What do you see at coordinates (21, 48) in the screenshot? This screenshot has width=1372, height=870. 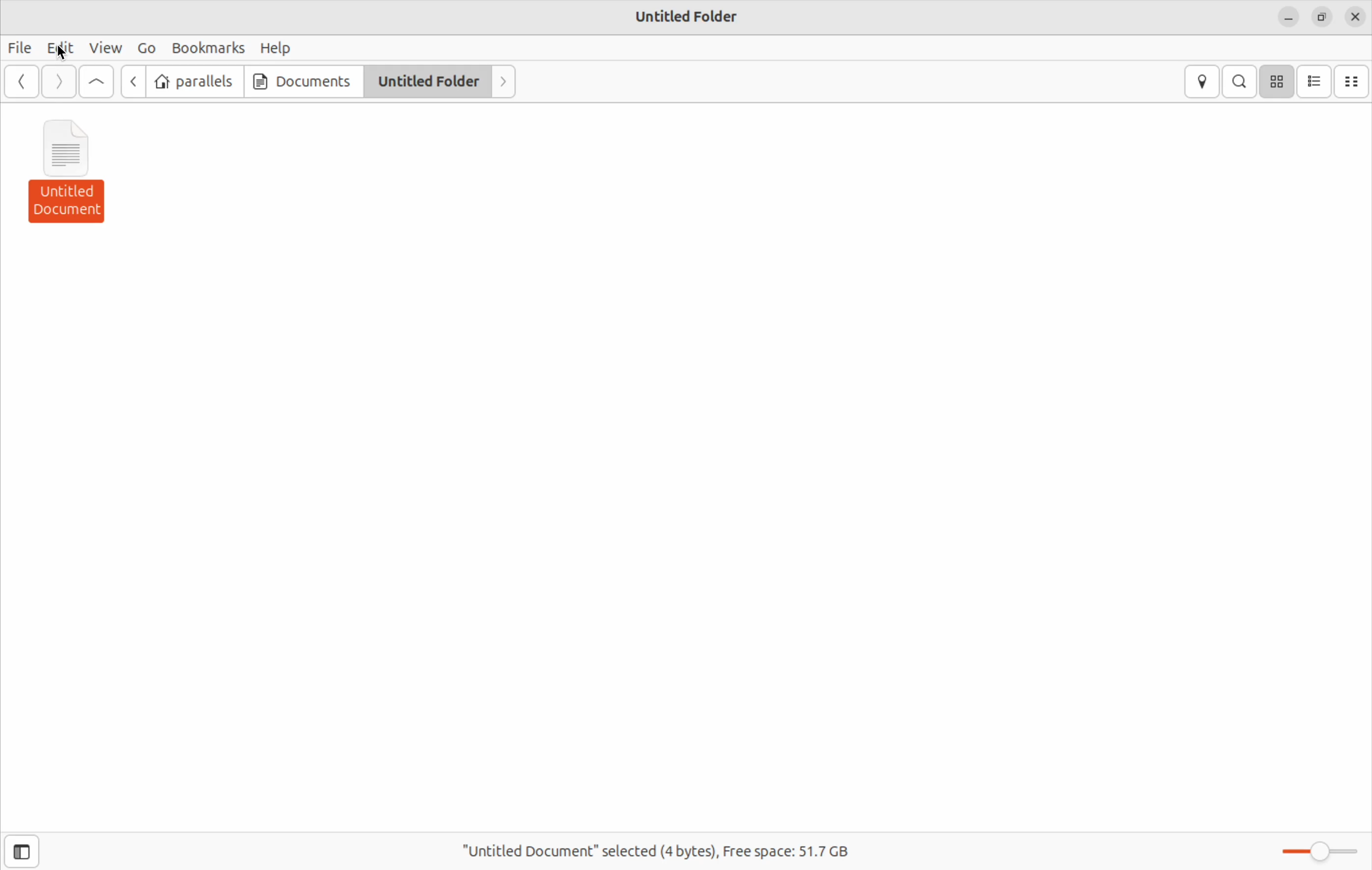 I see `File` at bounding box center [21, 48].